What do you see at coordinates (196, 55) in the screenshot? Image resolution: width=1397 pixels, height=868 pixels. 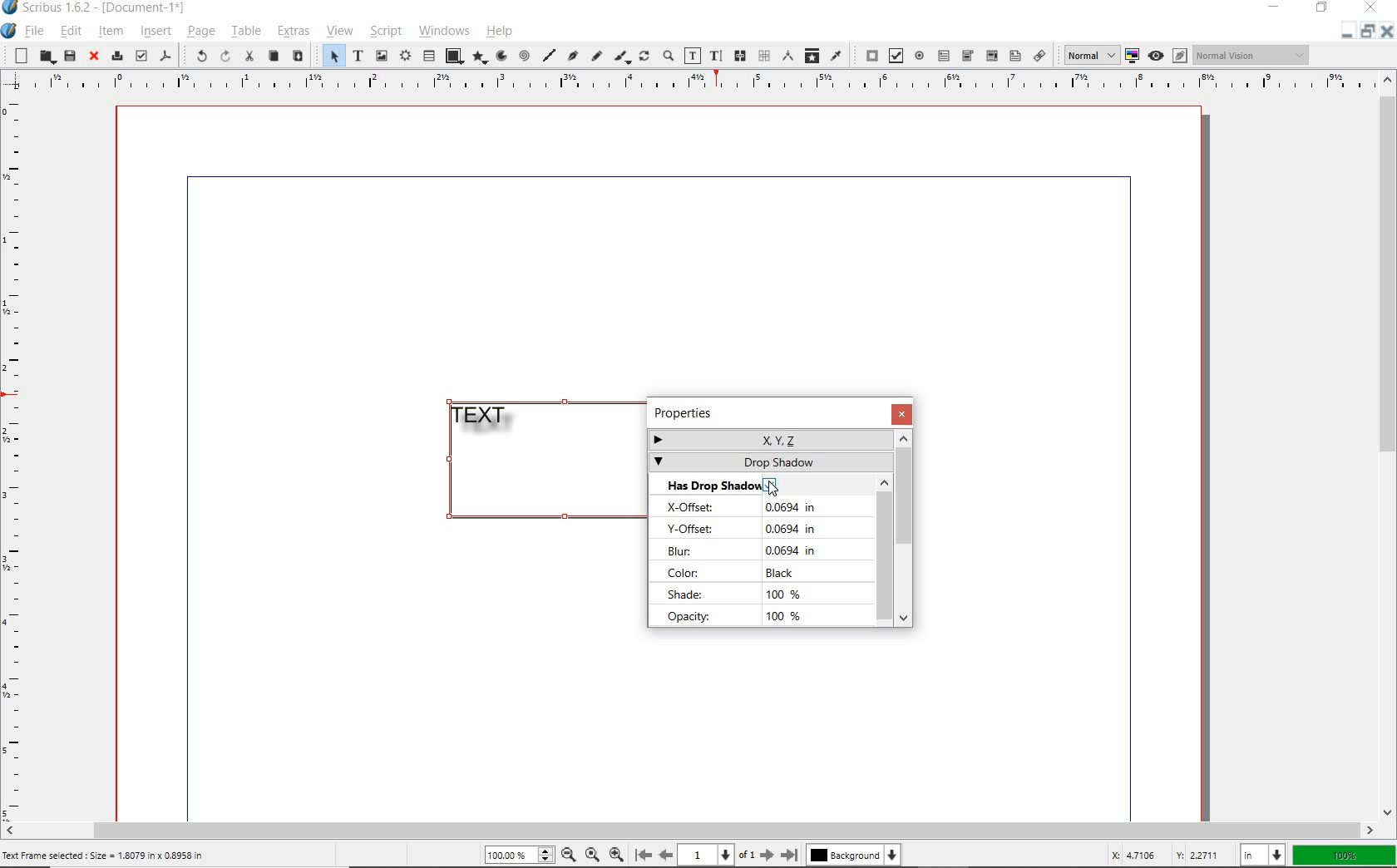 I see `undo` at bounding box center [196, 55].